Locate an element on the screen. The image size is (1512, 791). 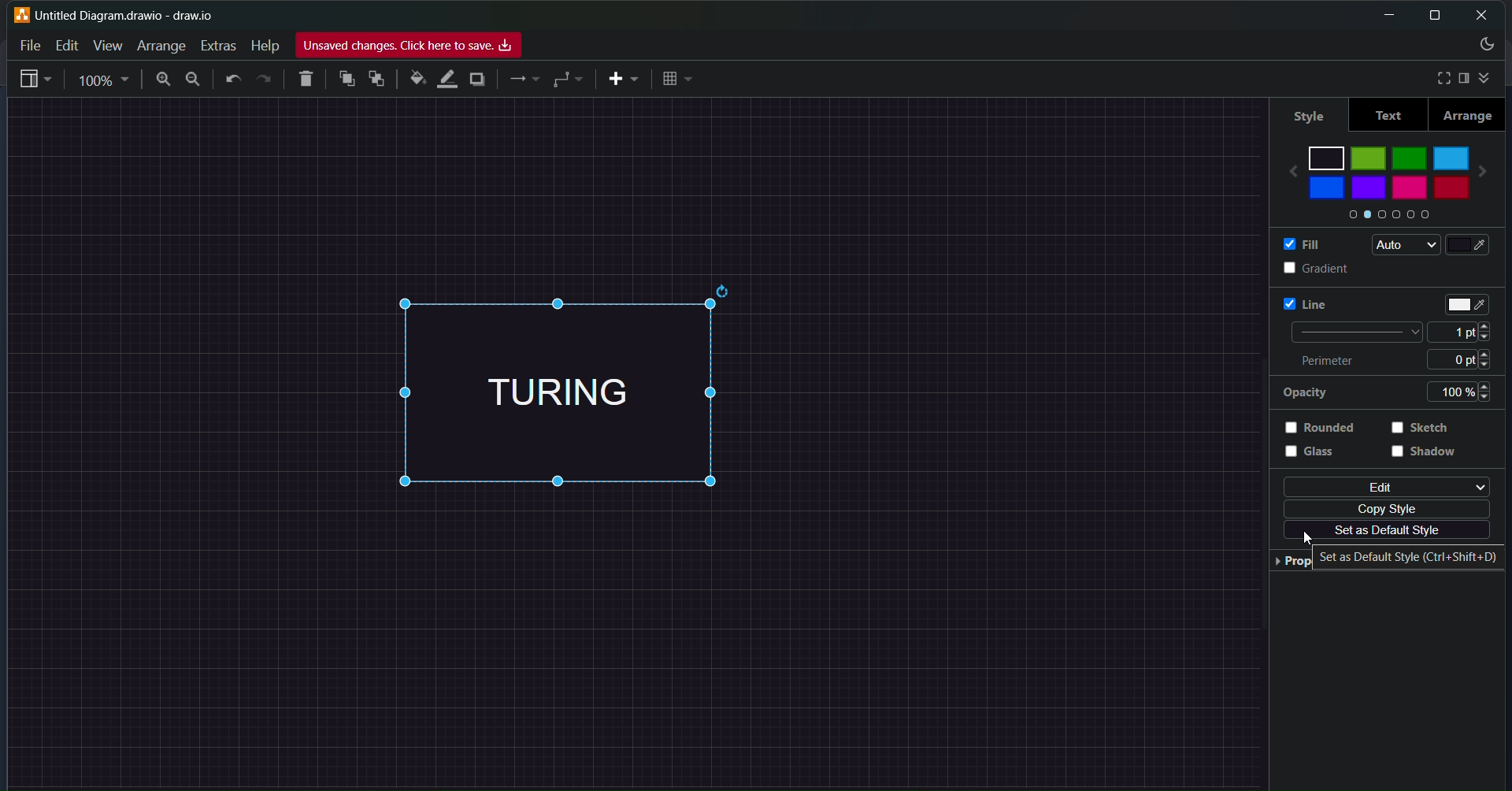
rounded is located at coordinates (1325, 427).